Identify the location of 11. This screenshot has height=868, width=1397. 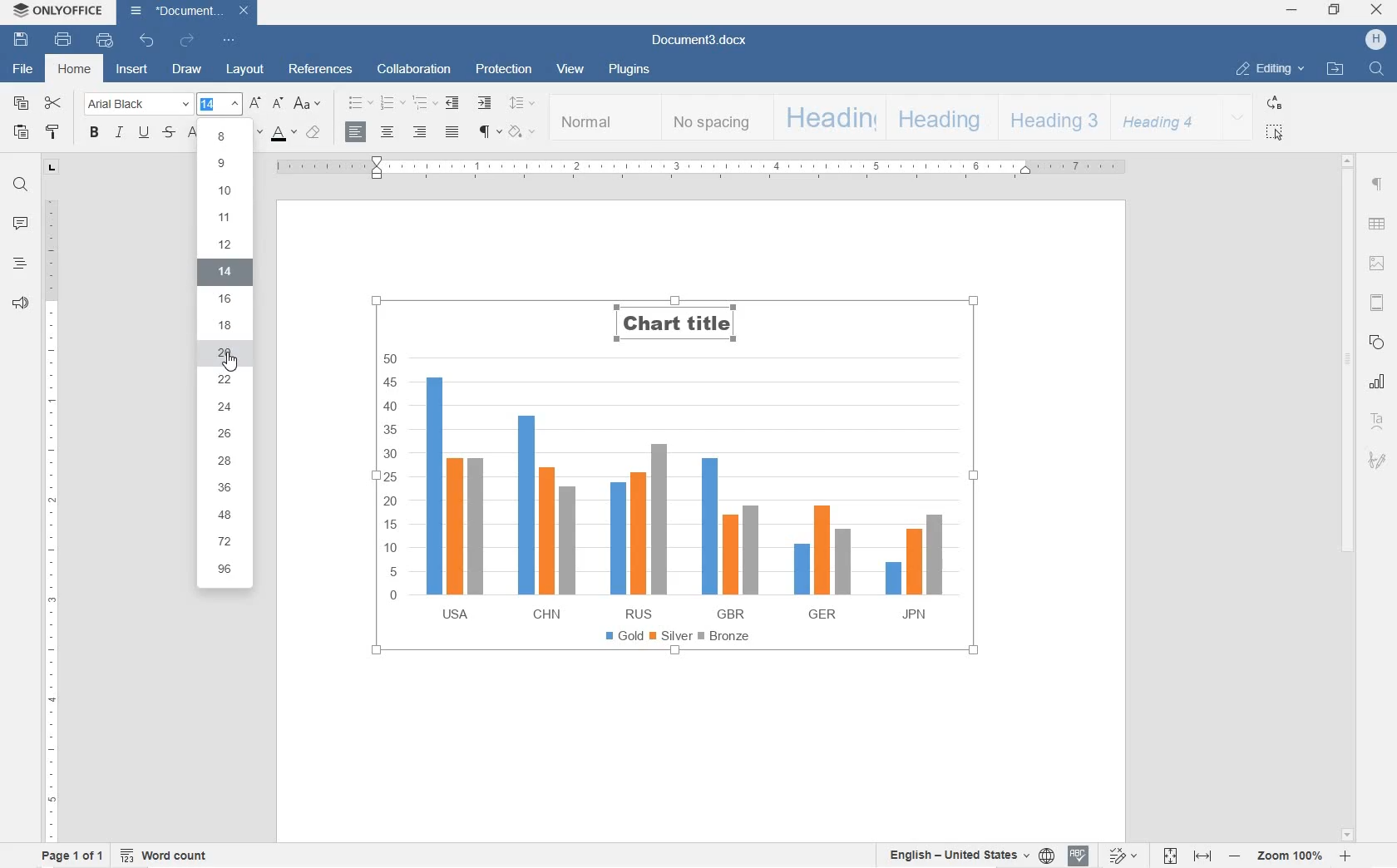
(222, 218).